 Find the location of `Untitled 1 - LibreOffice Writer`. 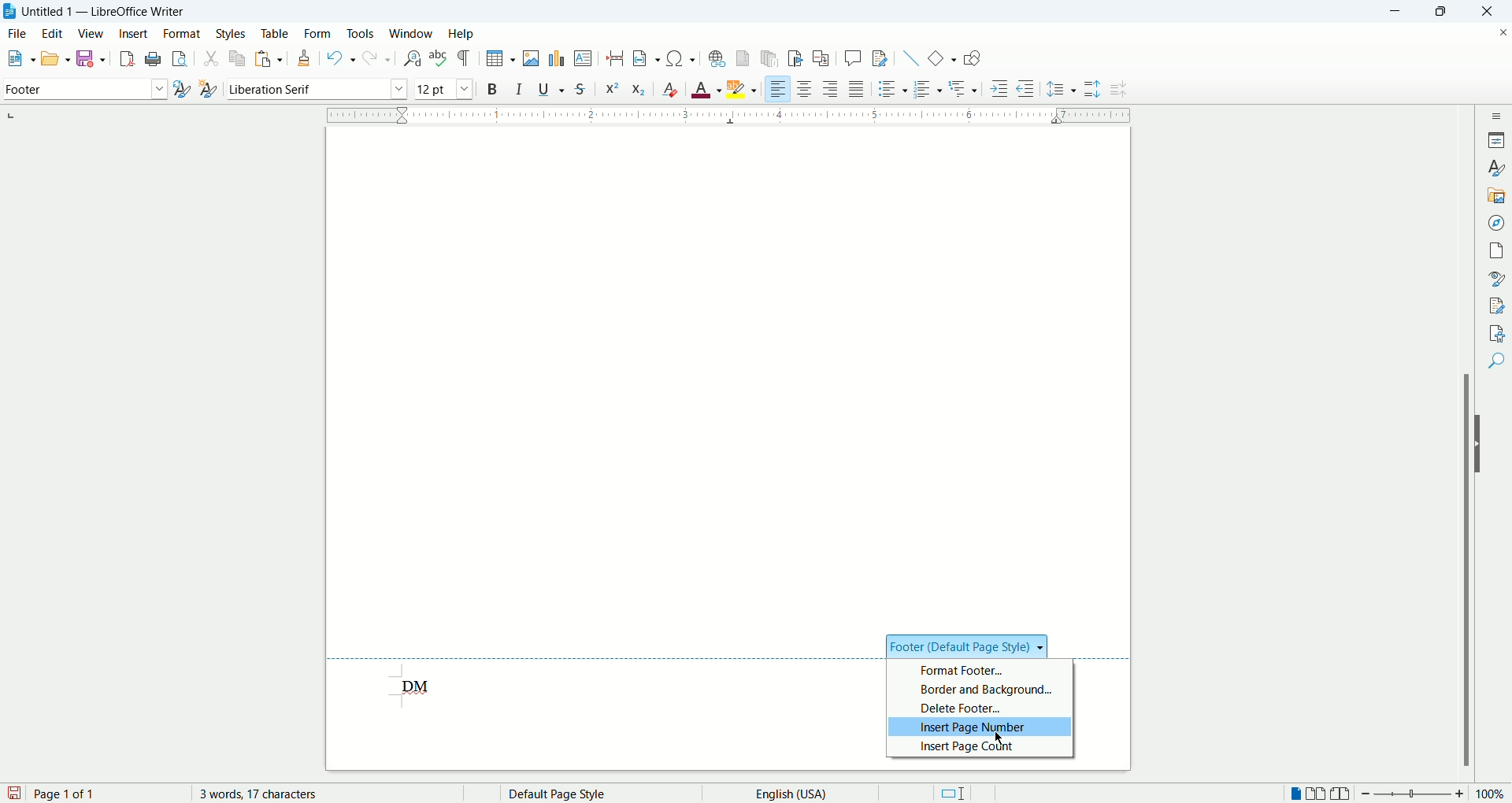

Untitled 1 - LibreOffice Writer is located at coordinates (107, 11).